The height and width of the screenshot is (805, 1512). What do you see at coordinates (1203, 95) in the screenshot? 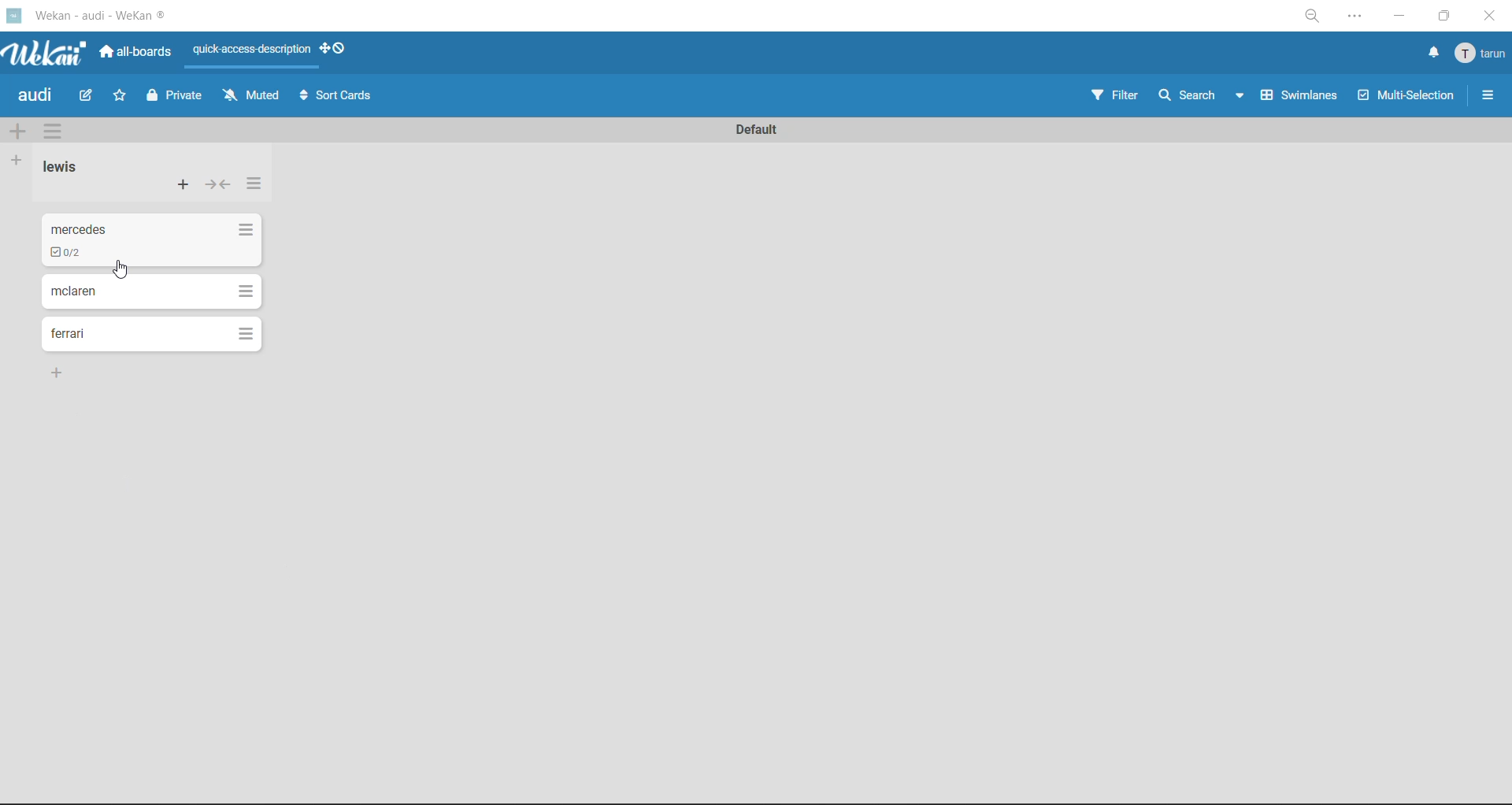
I see `search` at bounding box center [1203, 95].